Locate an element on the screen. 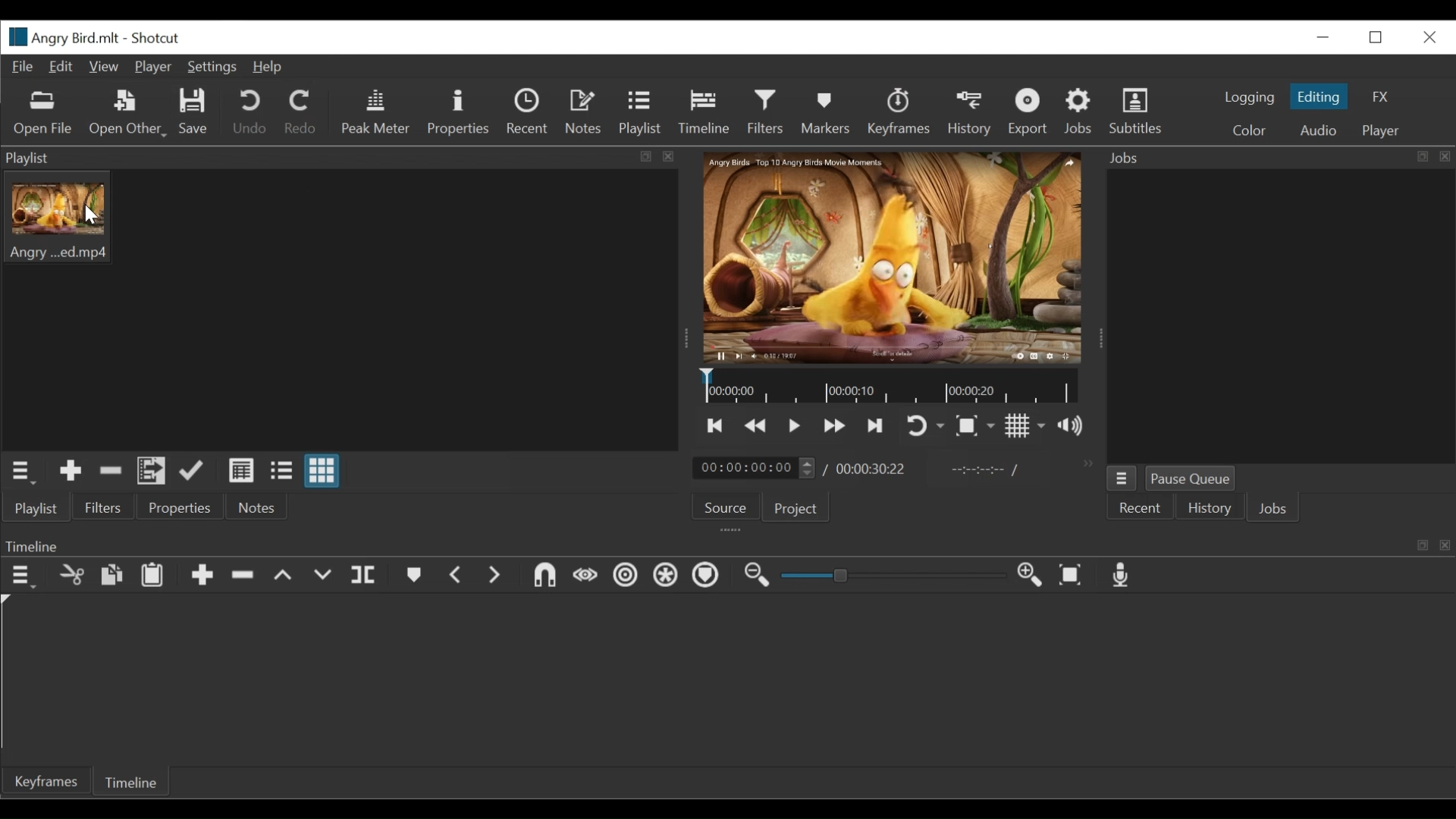  Play backward quickly is located at coordinates (754, 425).